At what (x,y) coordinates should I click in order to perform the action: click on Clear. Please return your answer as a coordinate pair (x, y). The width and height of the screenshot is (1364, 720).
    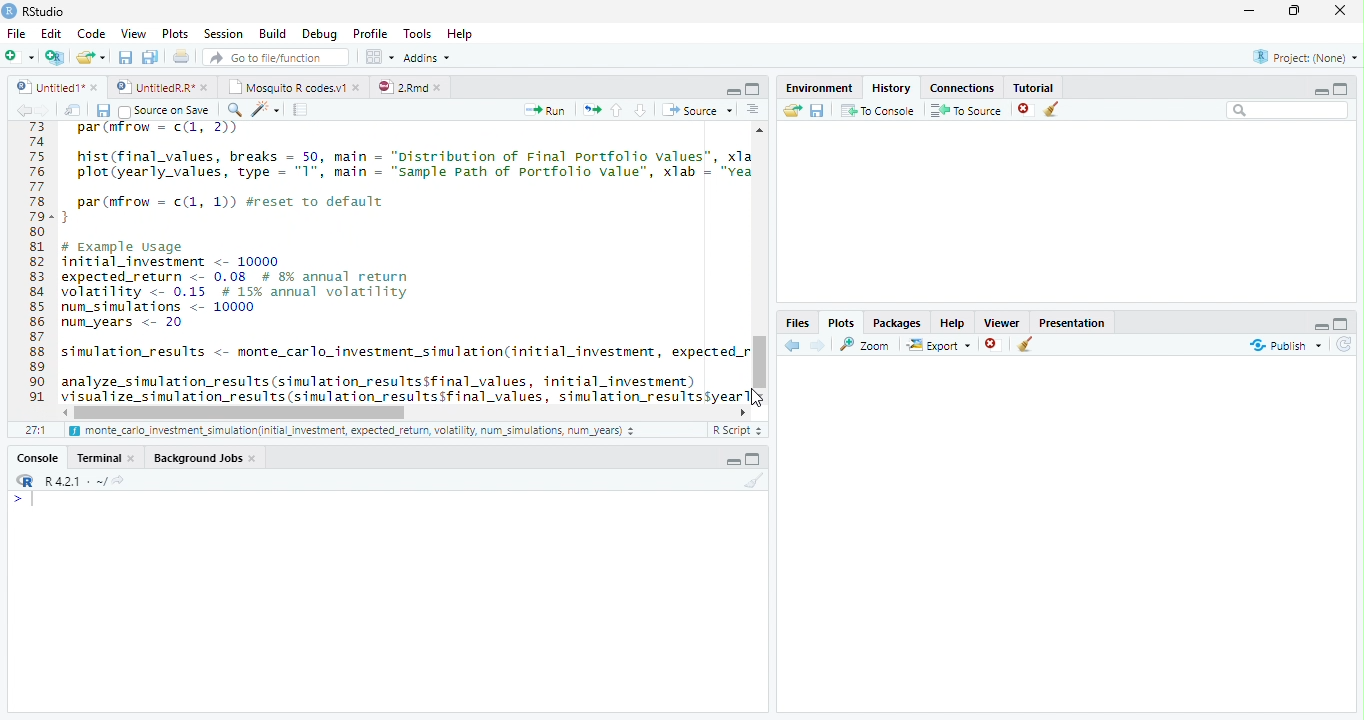
    Looking at the image, I should click on (1056, 110).